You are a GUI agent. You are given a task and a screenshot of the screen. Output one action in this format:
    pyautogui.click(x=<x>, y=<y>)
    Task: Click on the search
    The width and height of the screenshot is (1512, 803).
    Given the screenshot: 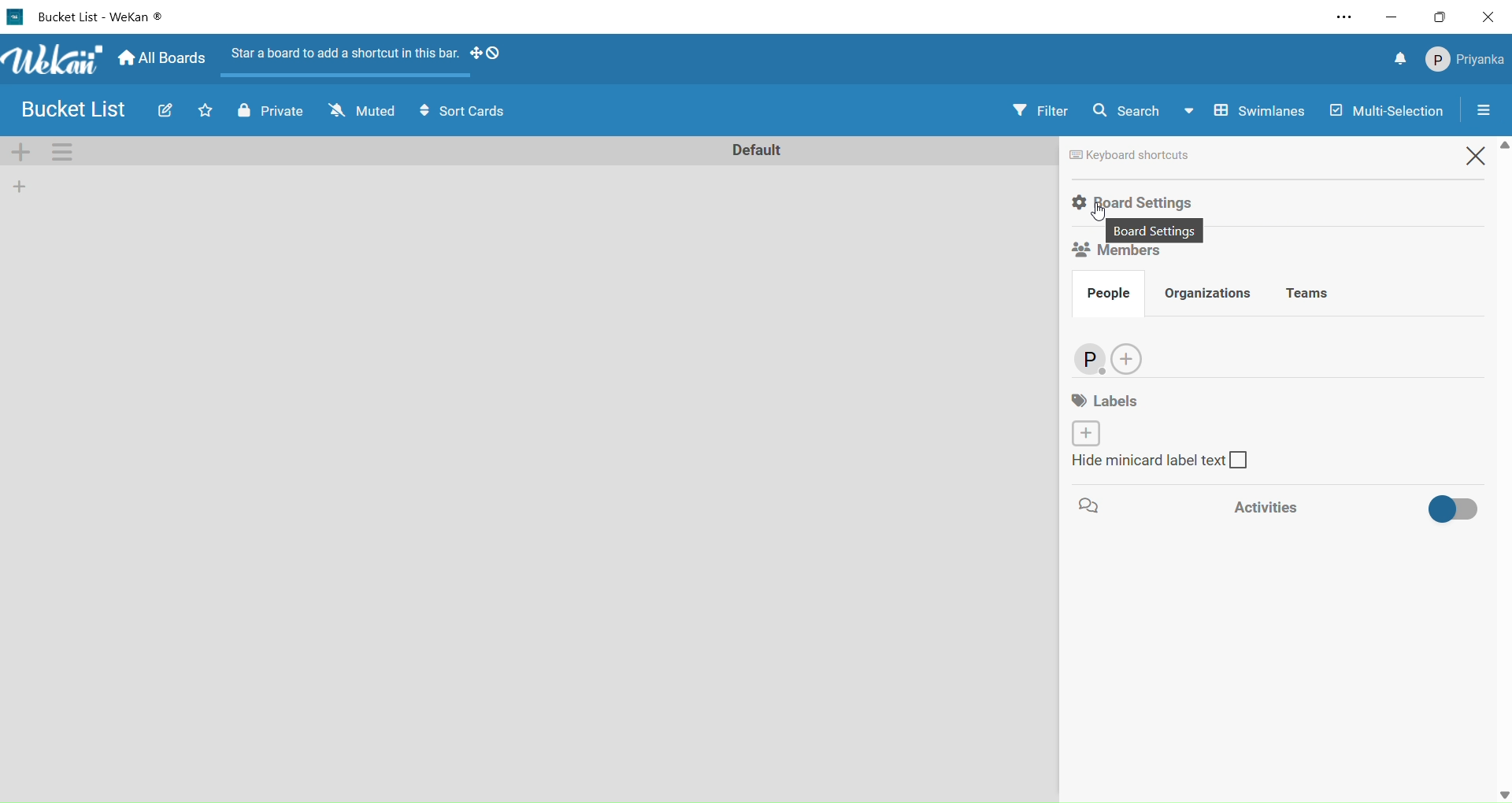 What is the action you would take?
    pyautogui.click(x=1130, y=112)
    